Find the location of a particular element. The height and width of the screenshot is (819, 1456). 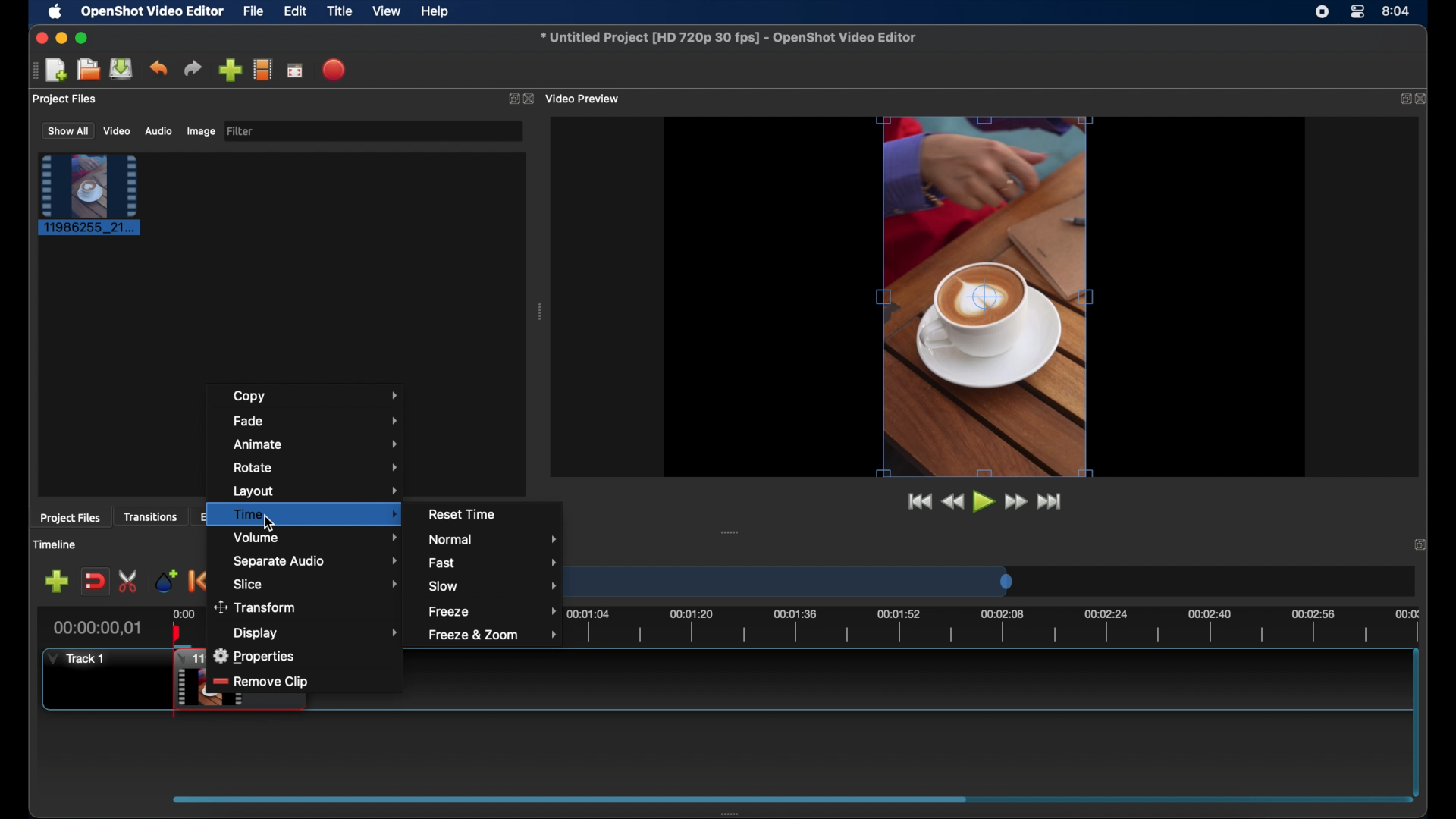

transitions is located at coordinates (150, 518).